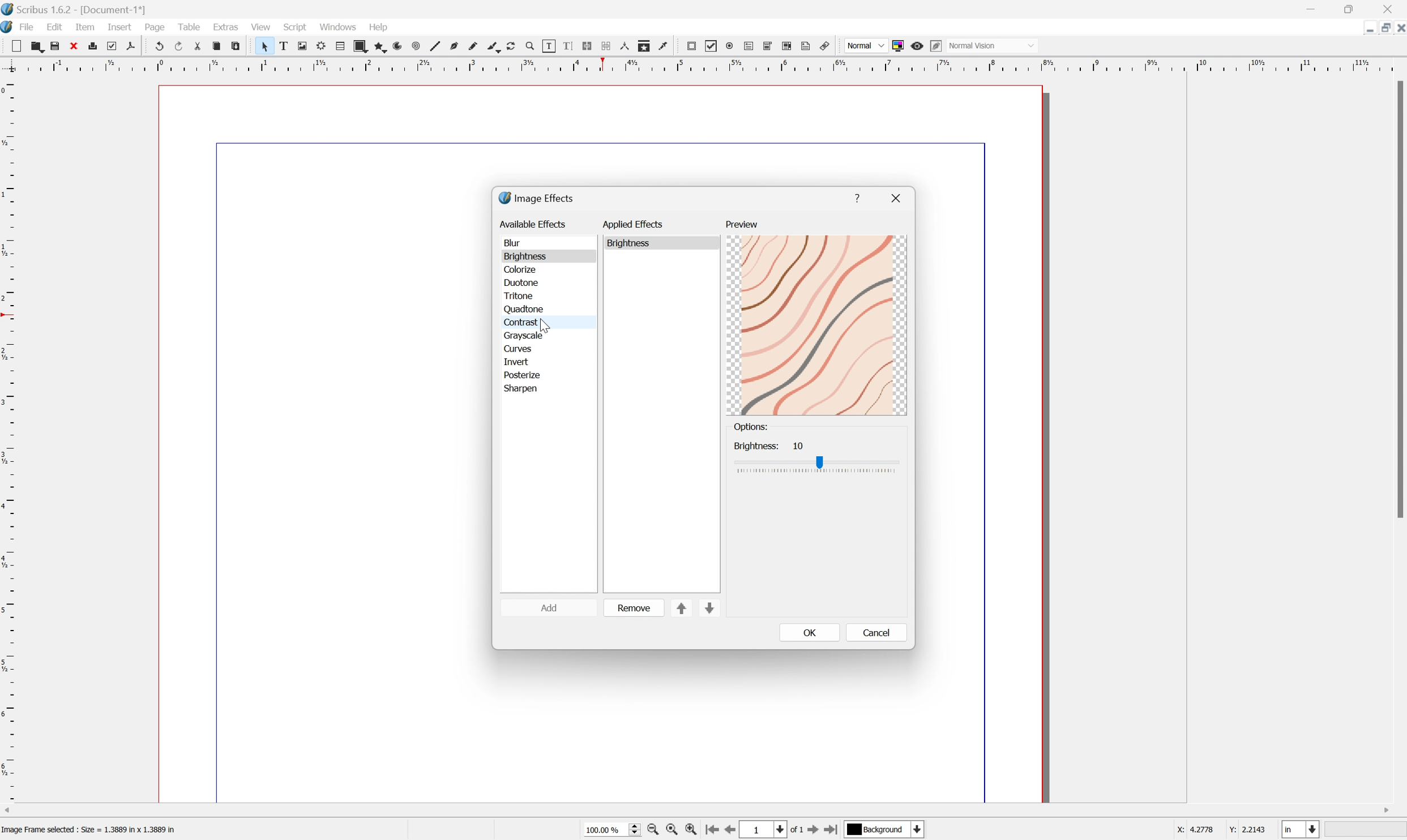 This screenshot has height=840, width=1407. I want to click on tritone, so click(521, 294).